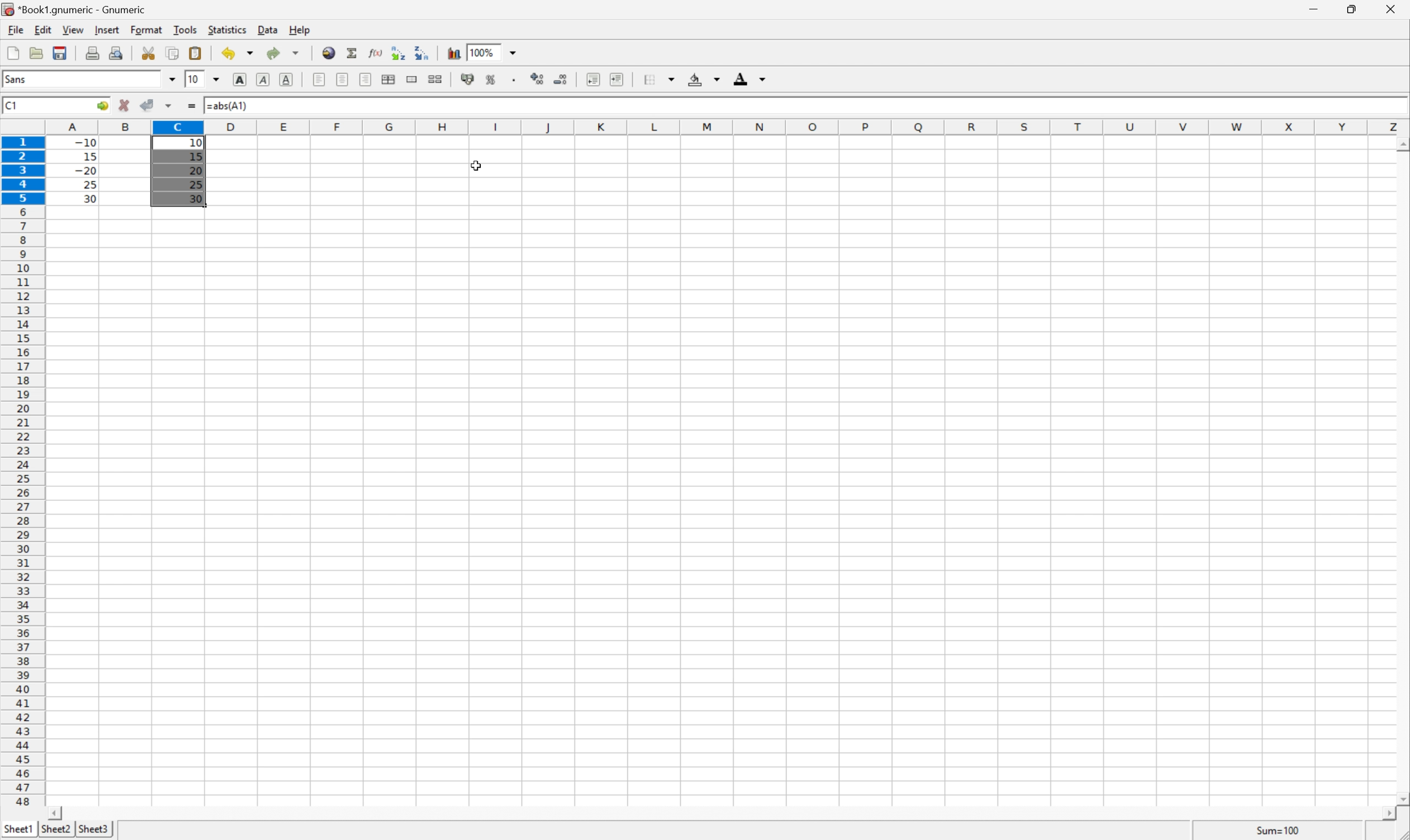 The height and width of the screenshot is (840, 1410). I want to click on Sheet1, so click(19, 827).